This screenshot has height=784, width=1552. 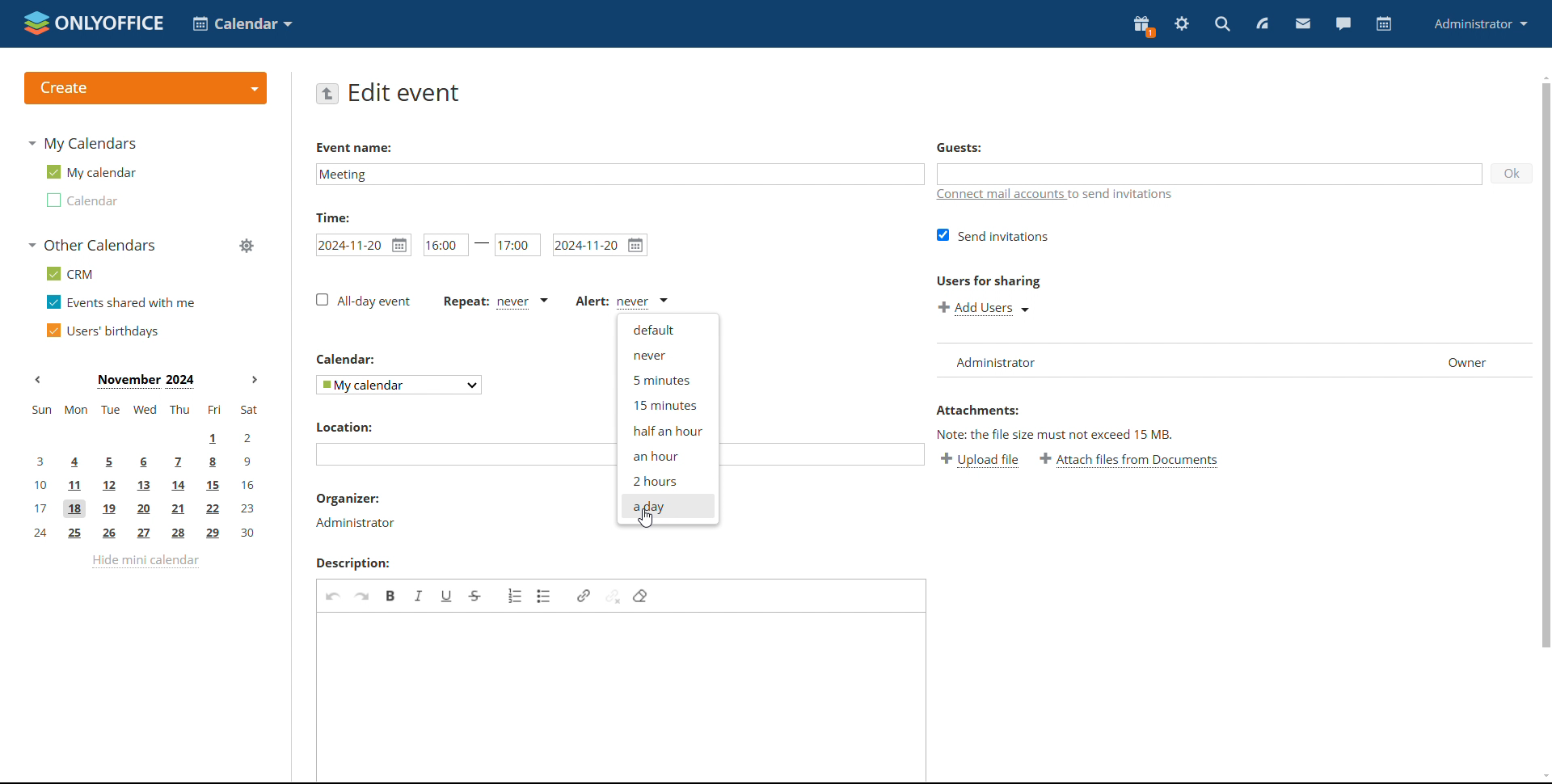 I want to click on attachments, so click(x=976, y=410).